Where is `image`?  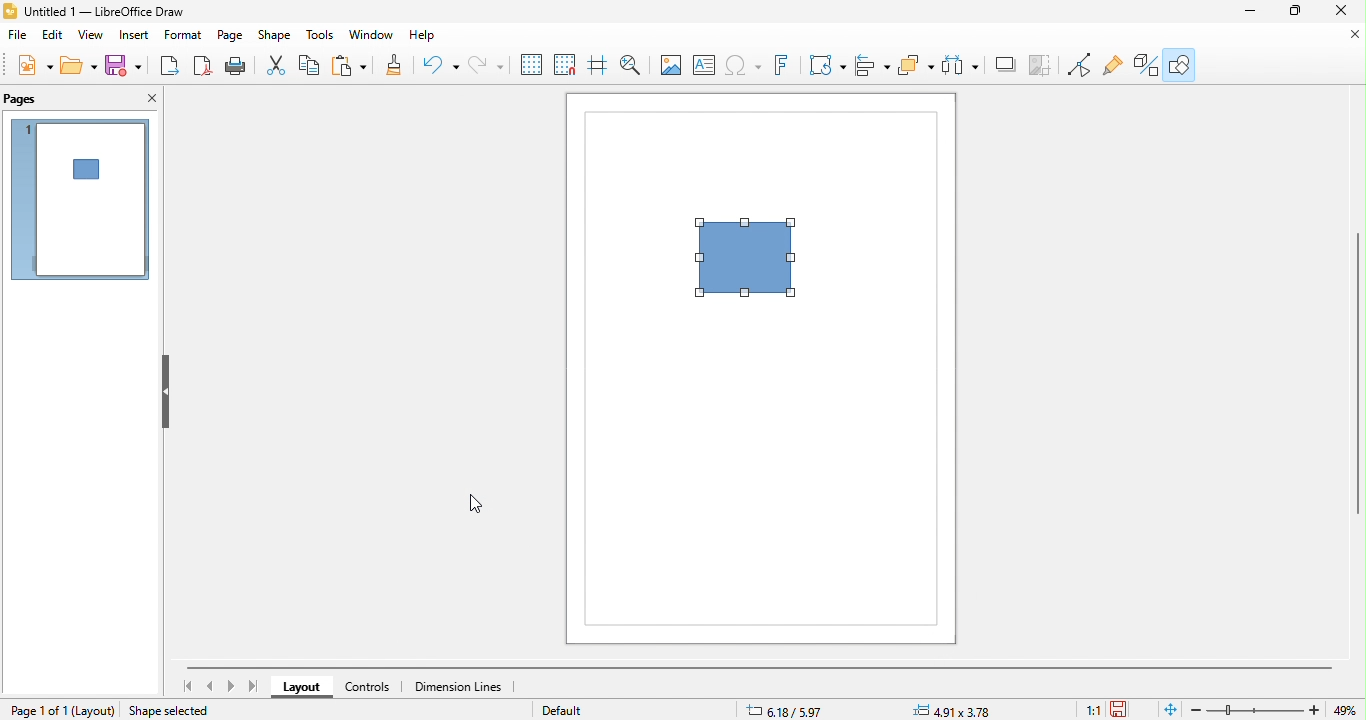 image is located at coordinates (670, 67).